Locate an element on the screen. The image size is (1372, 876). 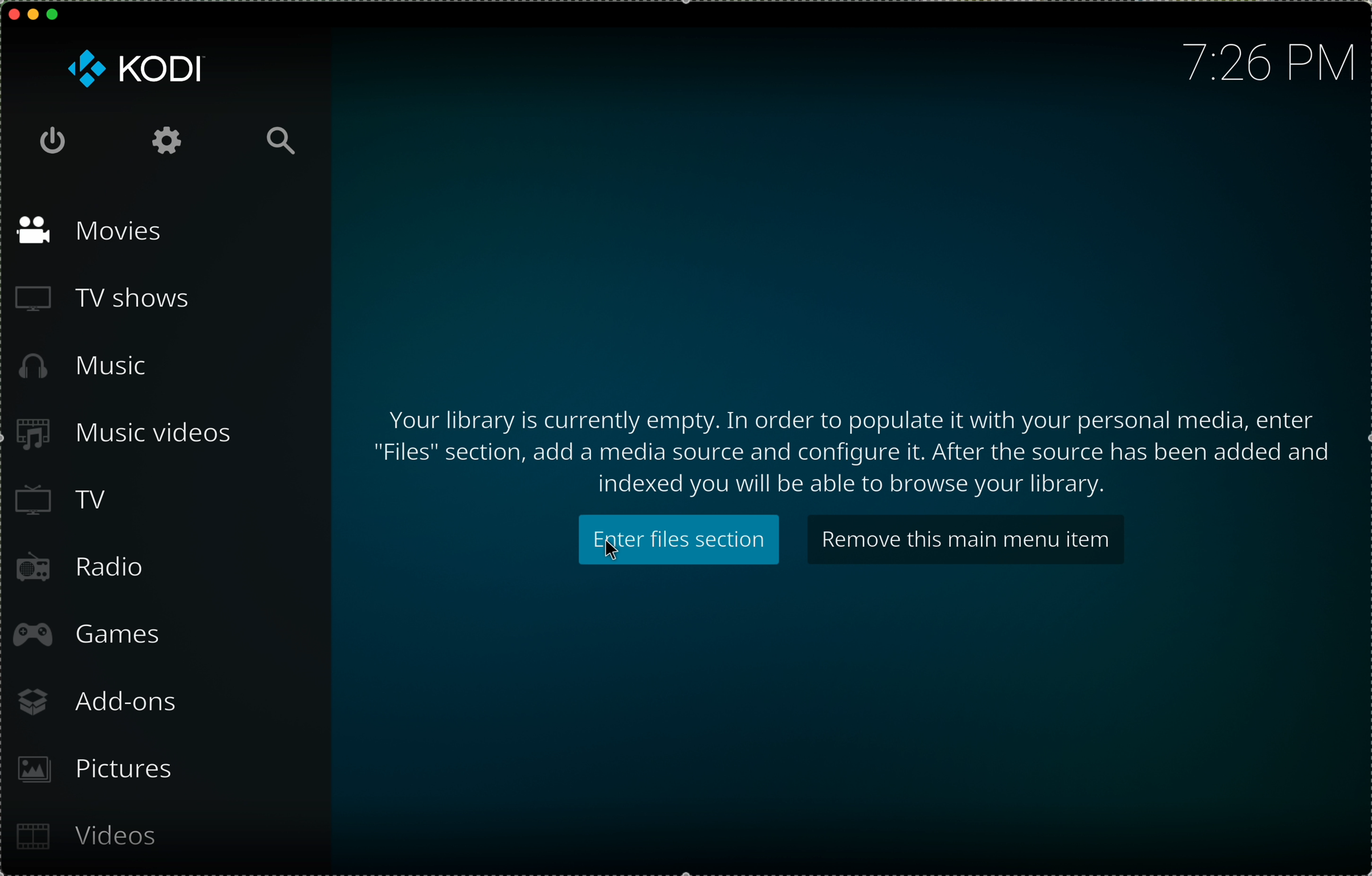
music videos option is located at coordinates (119, 437).